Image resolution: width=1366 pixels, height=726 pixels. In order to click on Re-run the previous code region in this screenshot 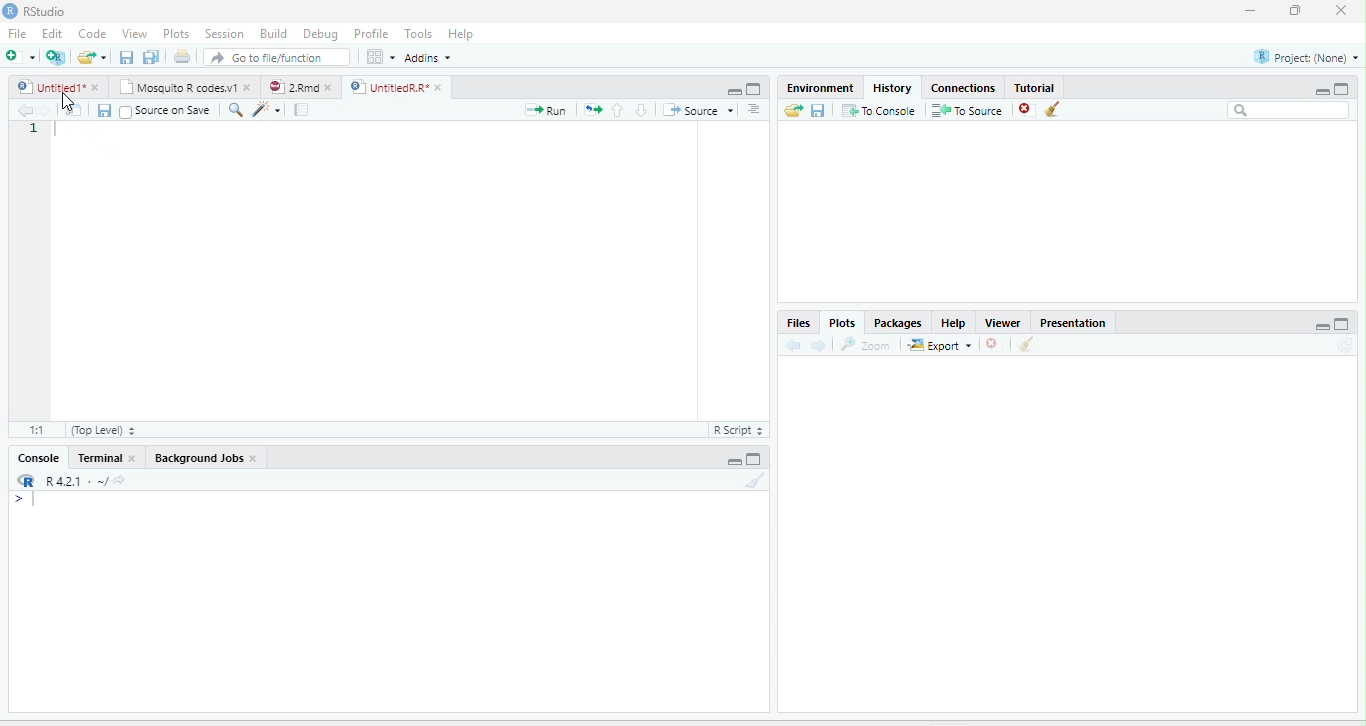, I will do `click(592, 110)`.